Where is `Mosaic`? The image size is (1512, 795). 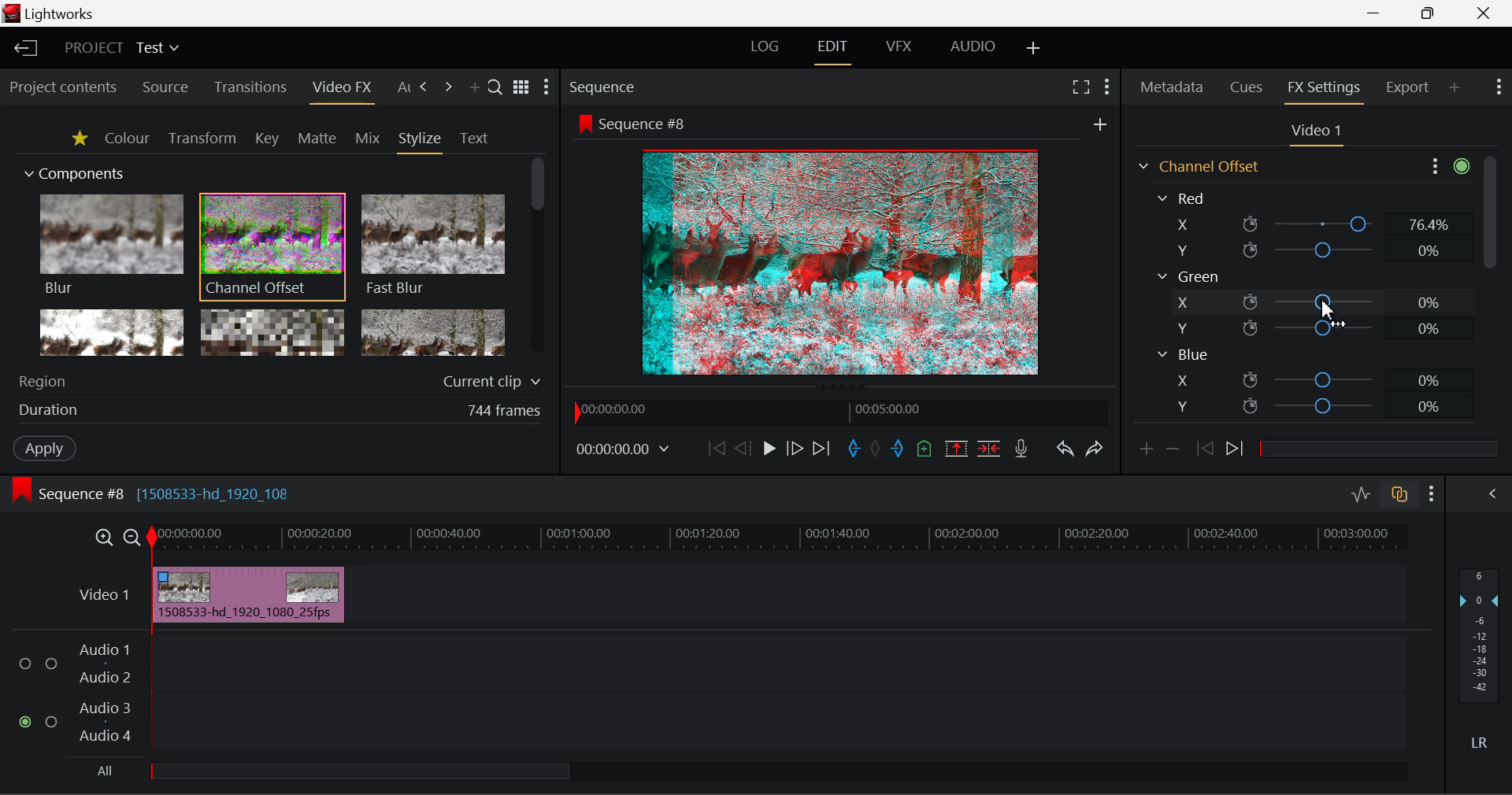
Mosaic is located at coordinates (272, 331).